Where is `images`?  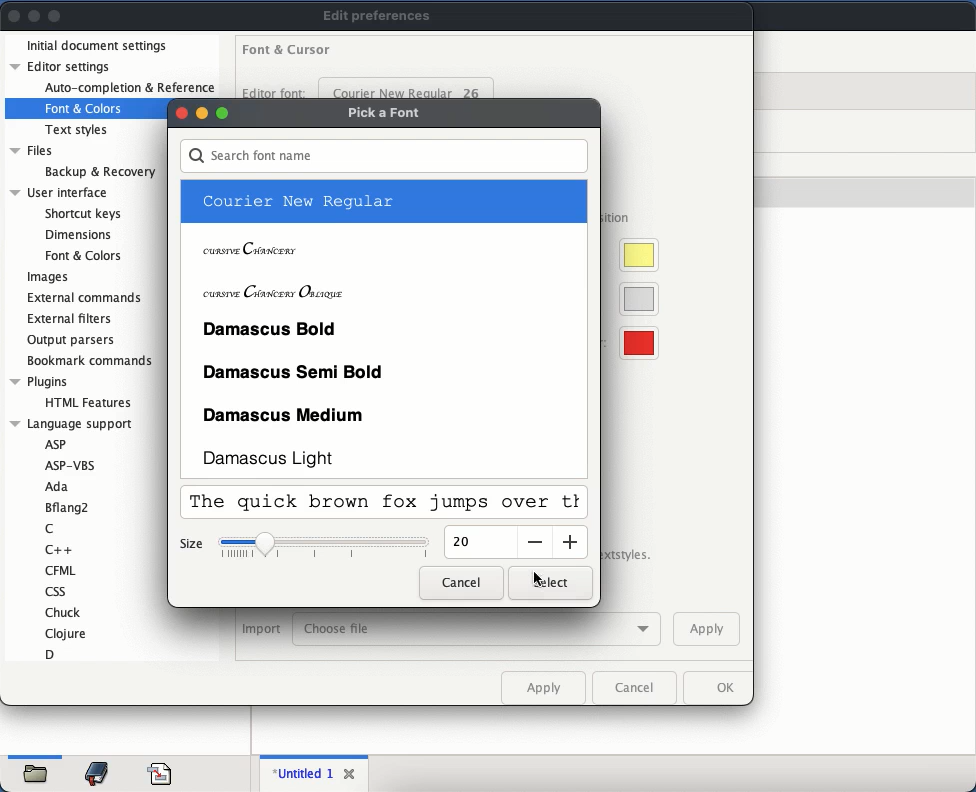
images is located at coordinates (47, 278).